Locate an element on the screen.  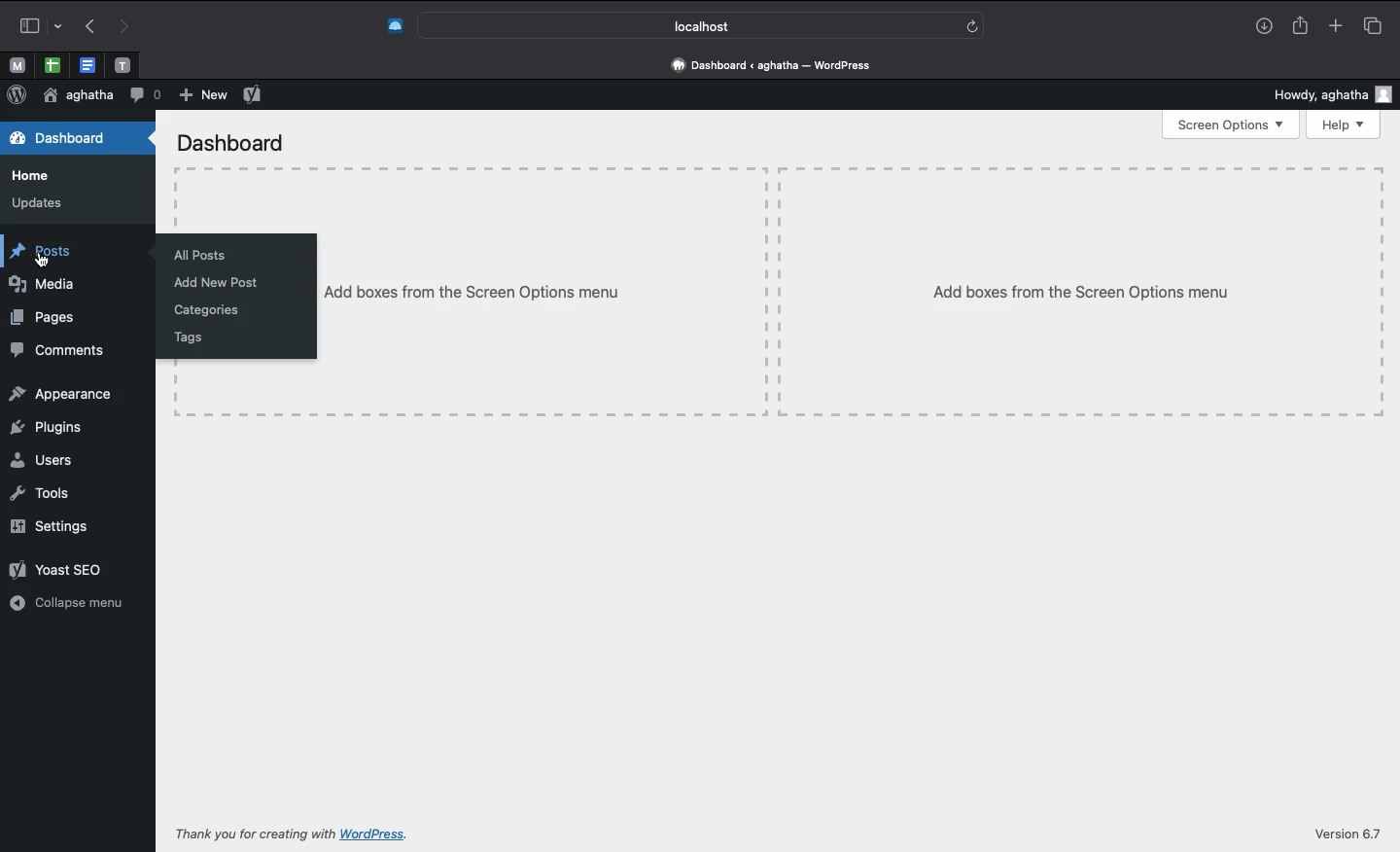
Previous page is located at coordinates (87, 28).